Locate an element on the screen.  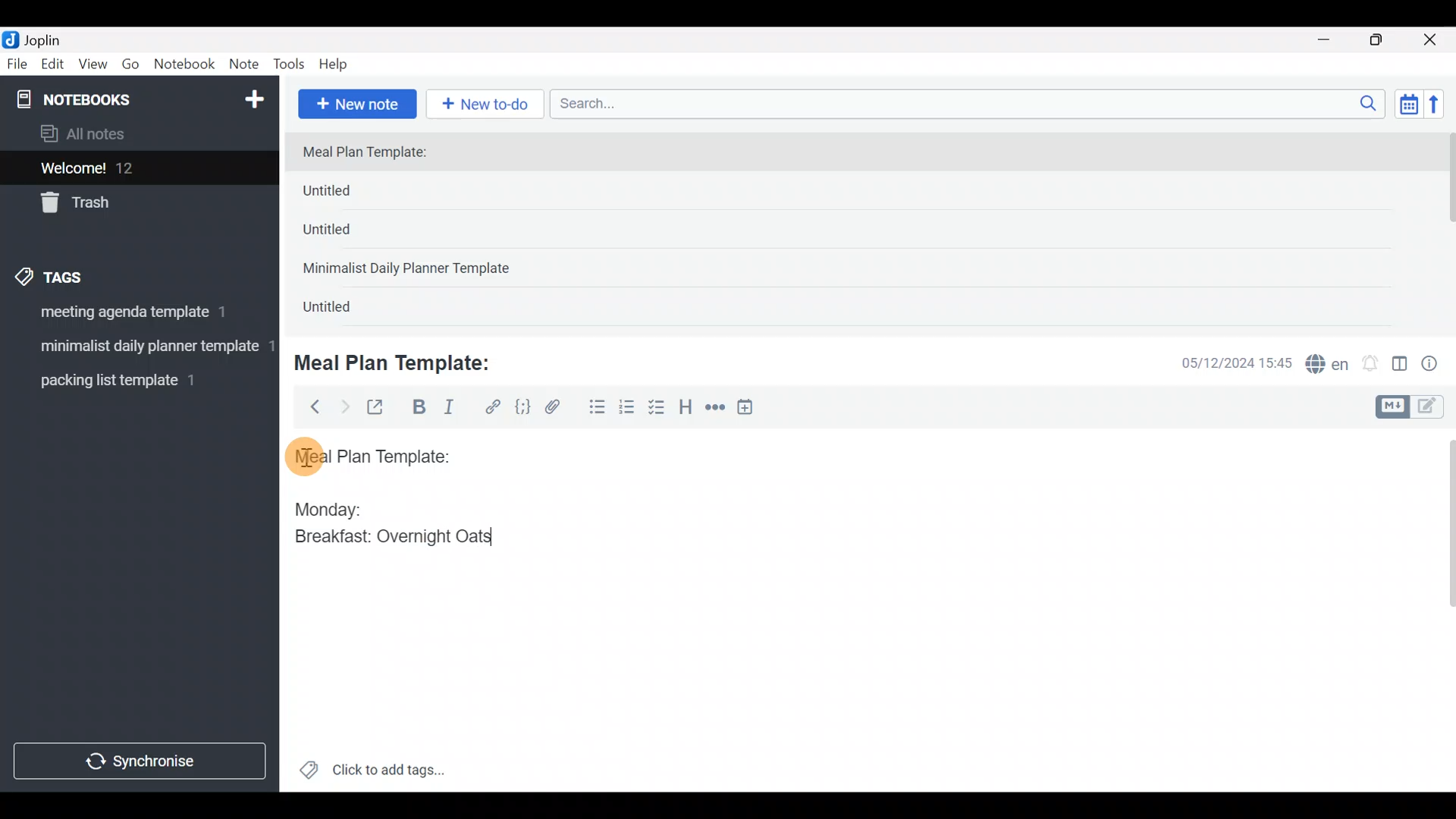
View is located at coordinates (93, 67).